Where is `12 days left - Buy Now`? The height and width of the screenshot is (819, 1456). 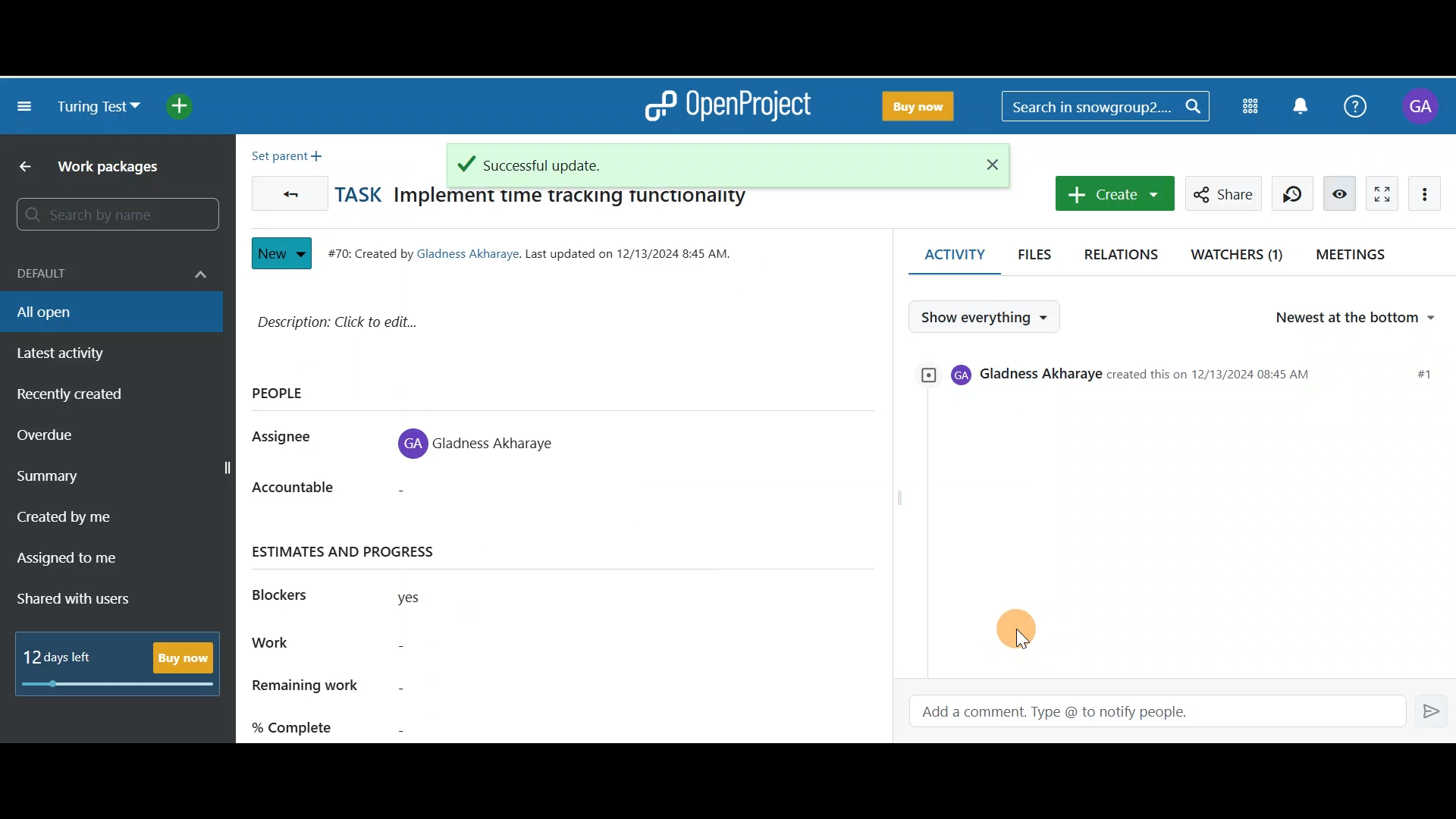
12 days left - Buy Now is located at coordinates (123, 660).